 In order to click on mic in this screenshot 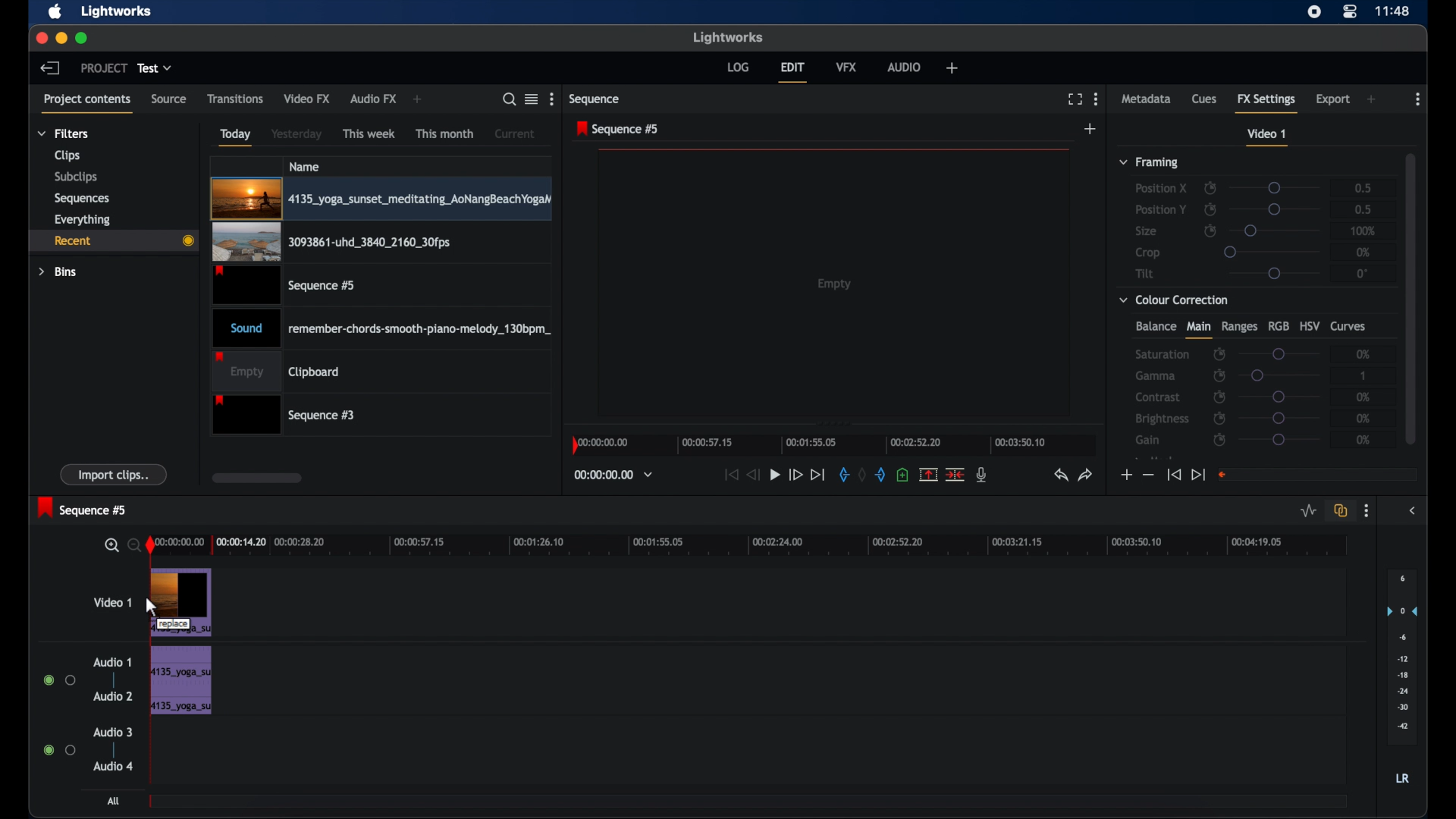, I will do `click(983, 475)`.